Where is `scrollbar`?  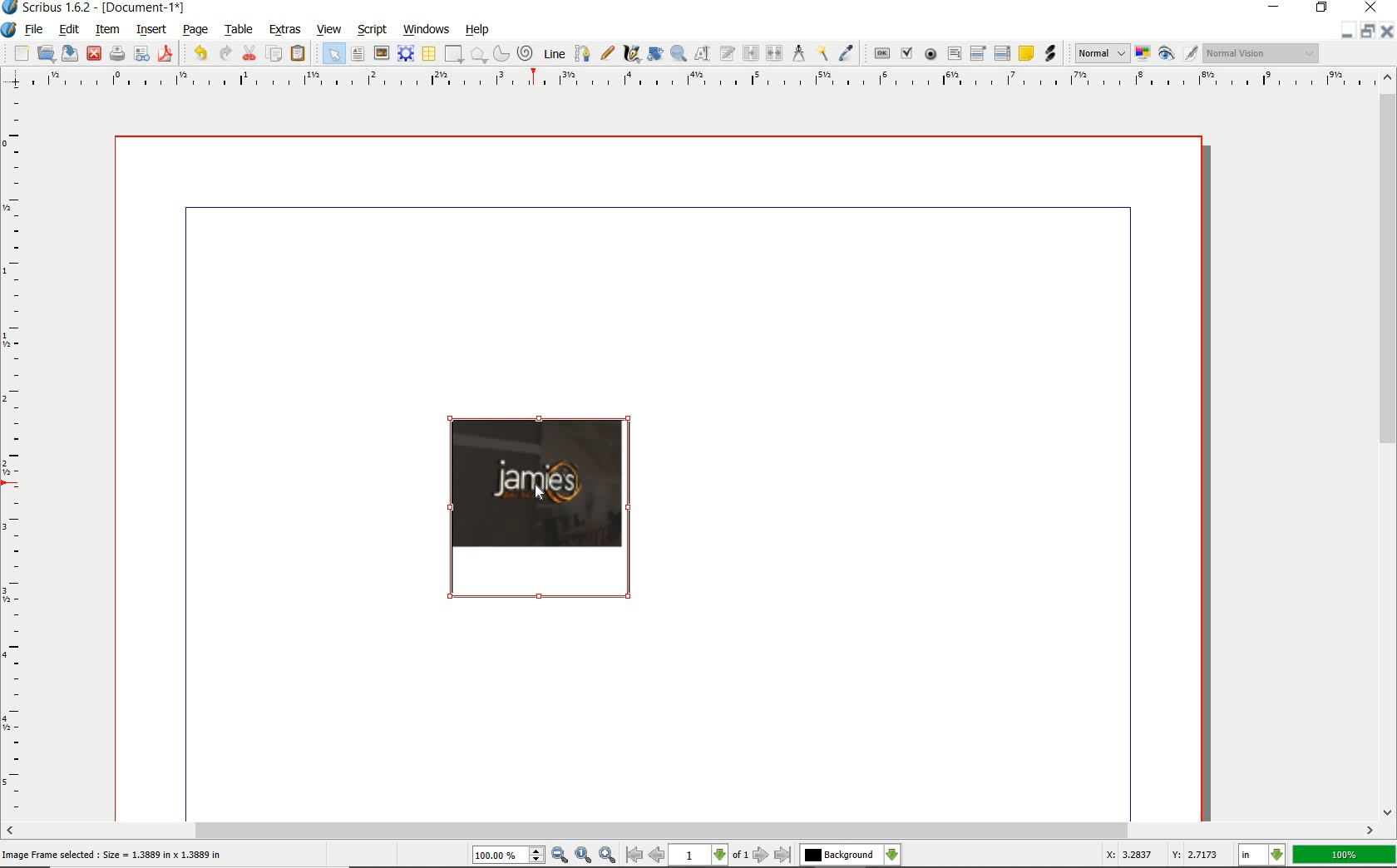
scrollbar is located at coordinates (1389, 445).